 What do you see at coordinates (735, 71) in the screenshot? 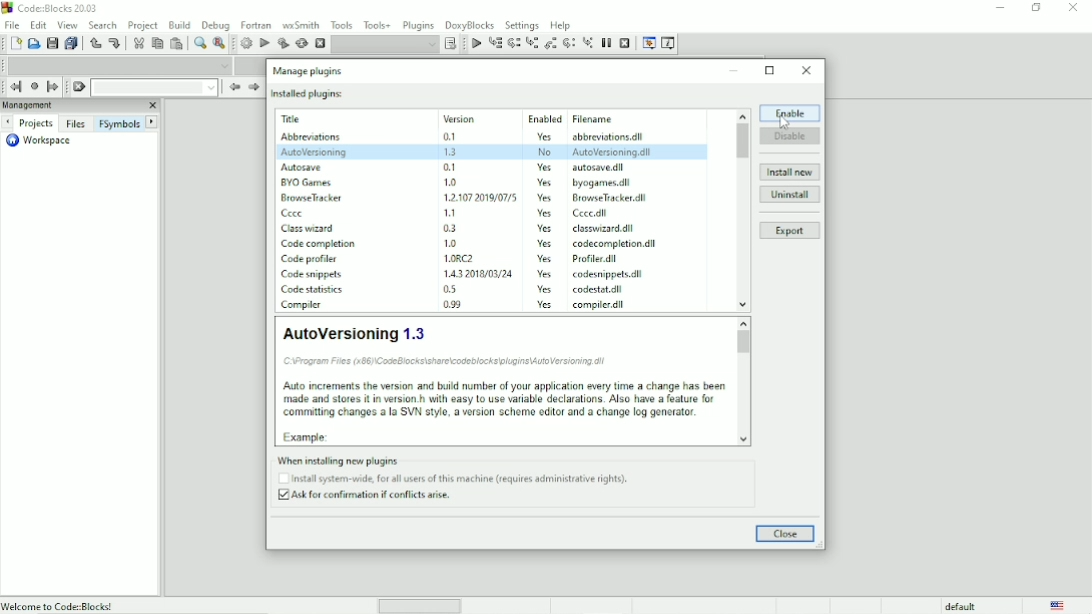
I see `Minimize` at bounding box center [735, 71].